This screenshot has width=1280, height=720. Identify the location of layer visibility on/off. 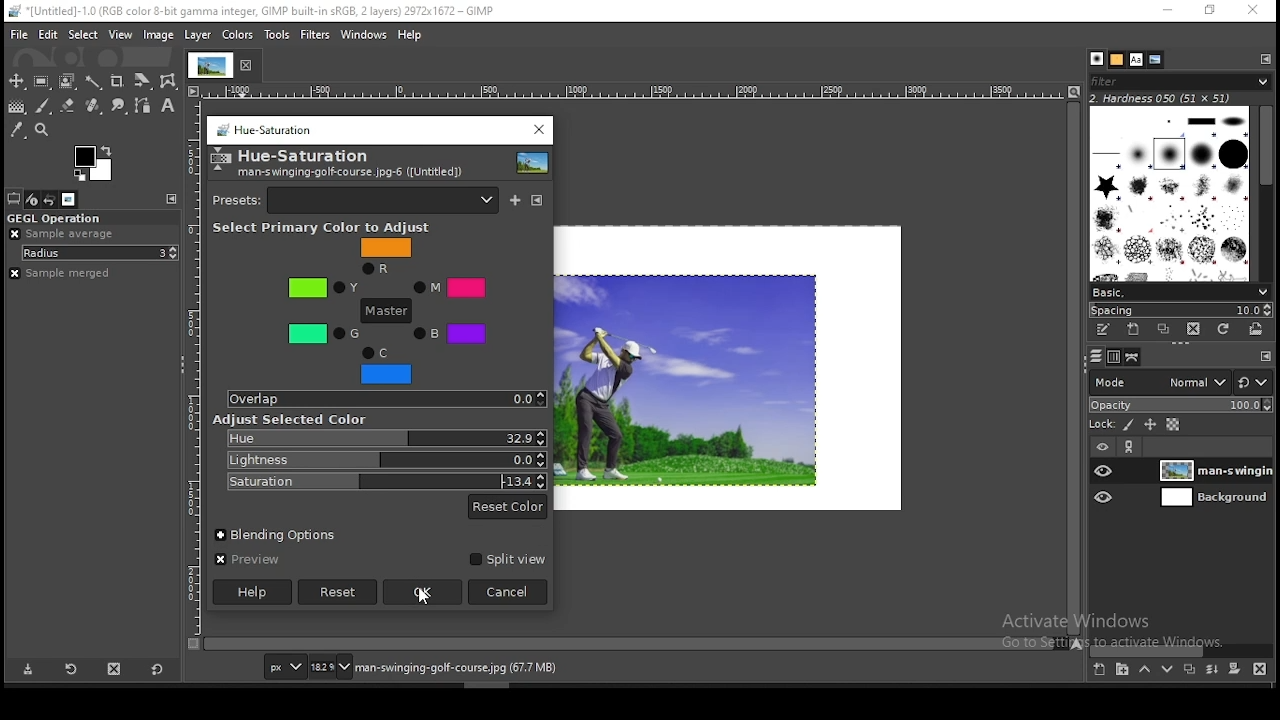
(1102, 471).